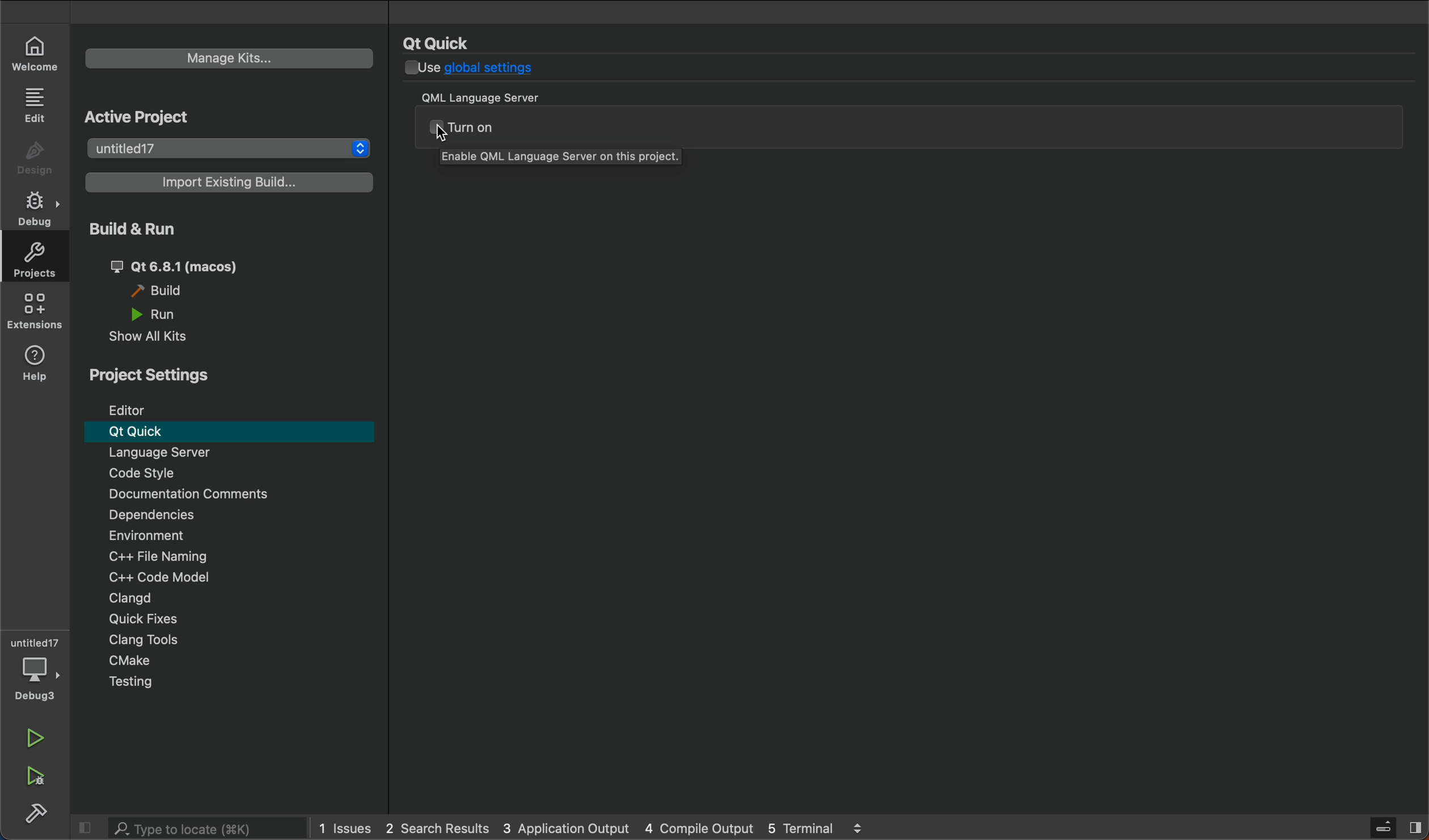 This screenshot has width=1429, height=840. What do you see at coordinates (564, 160) in the screenshot?
I see `Enable QML Language Server` at bounding box center [564, 160].